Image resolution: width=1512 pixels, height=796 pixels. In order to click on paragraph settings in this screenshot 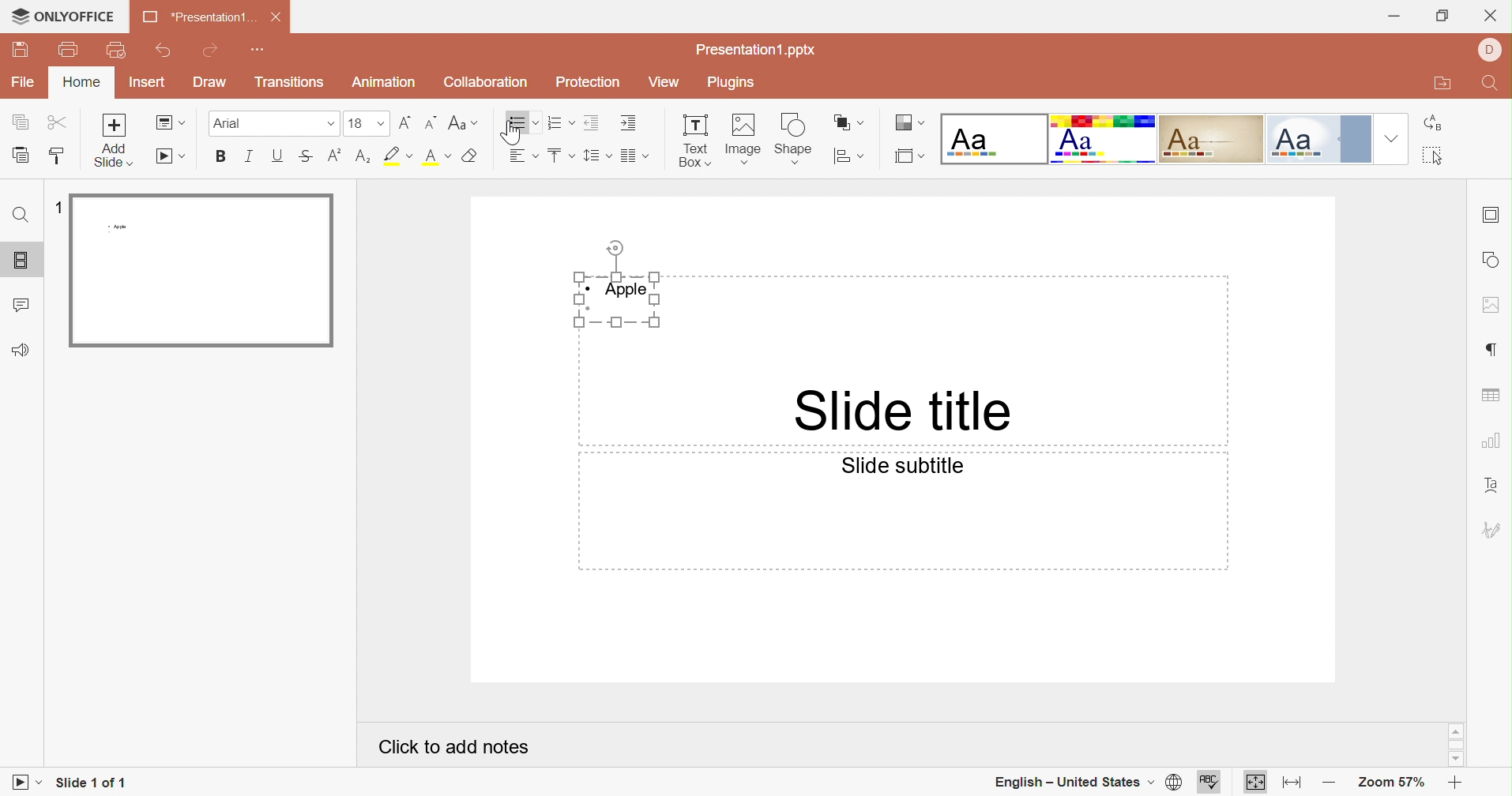, I will do `click(1495, 346)`.